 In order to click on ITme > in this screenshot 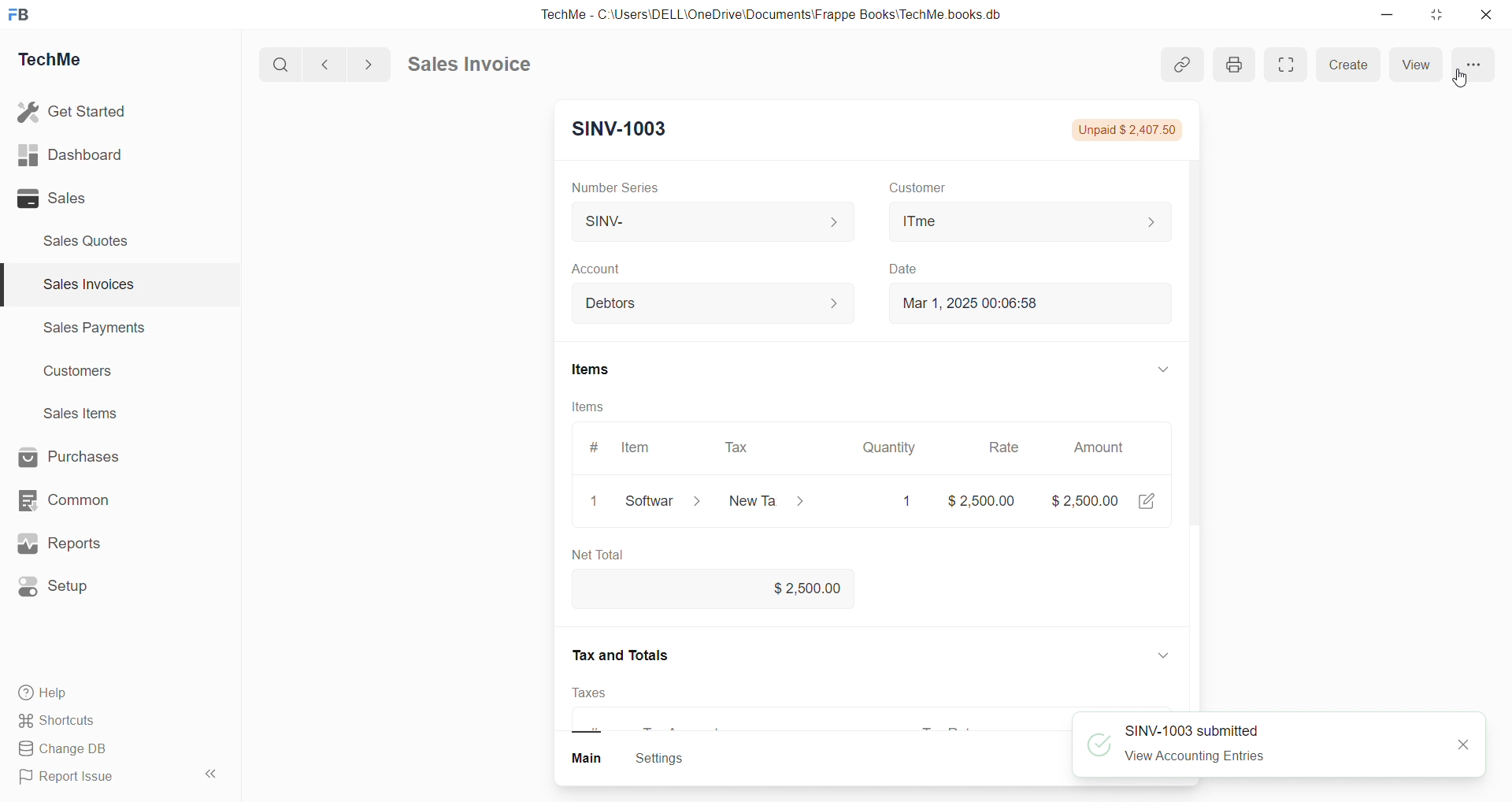, I will do `click(1028, 221)`.